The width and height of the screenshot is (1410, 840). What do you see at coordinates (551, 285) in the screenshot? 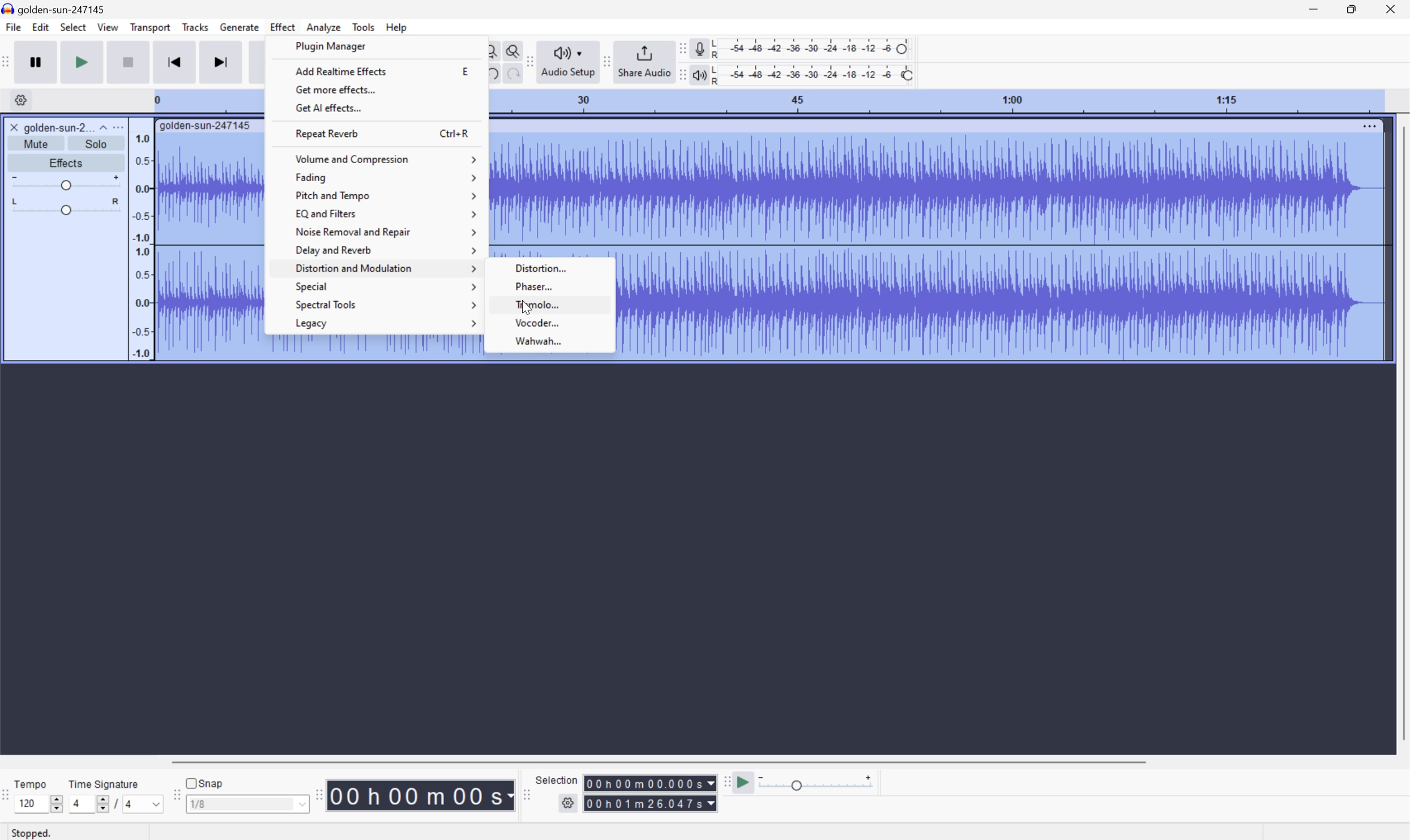
I see `Phaser...` at bounding box center [551, 285].